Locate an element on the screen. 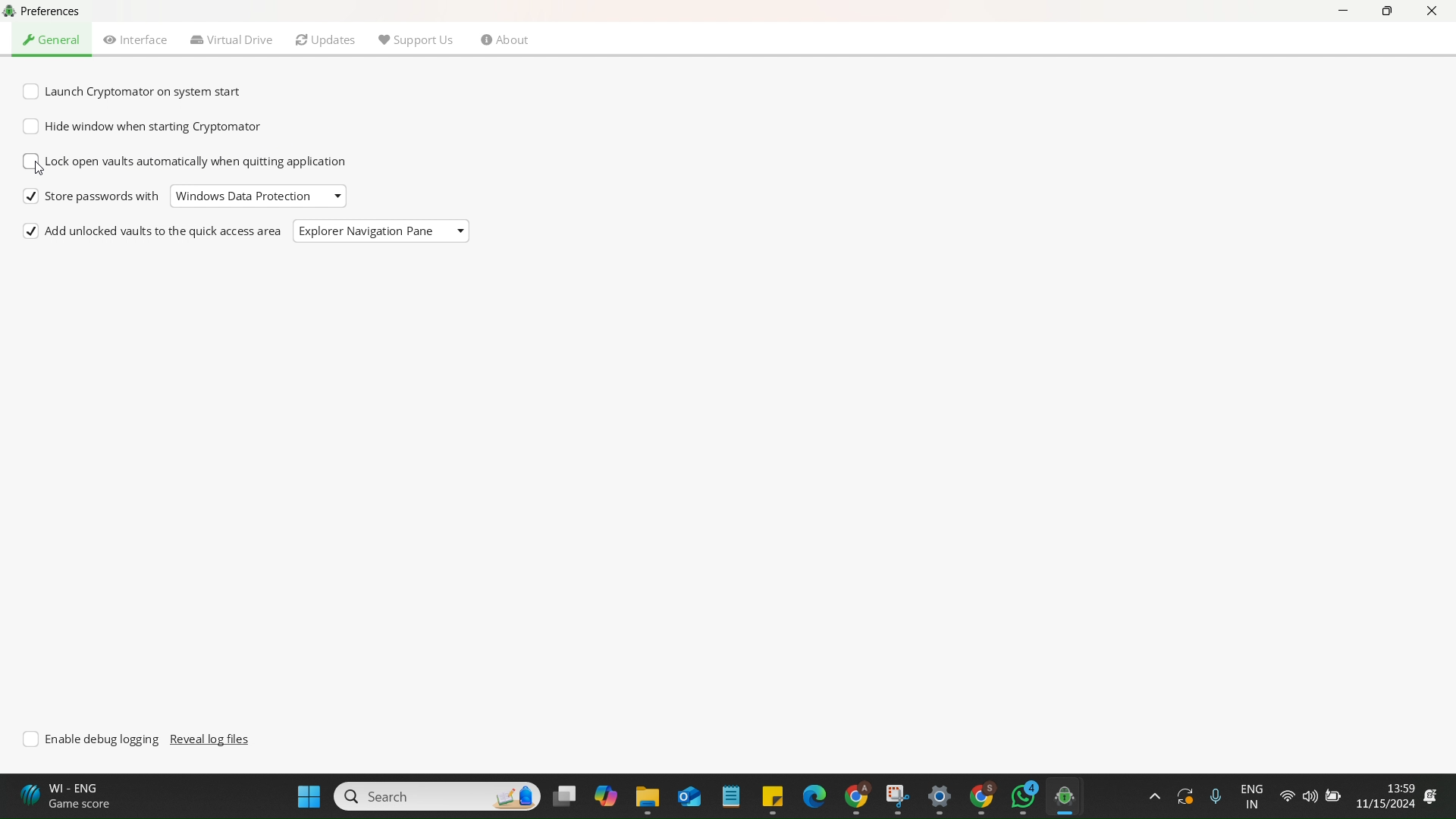  Windows update is located at coordinates (1183, 795).